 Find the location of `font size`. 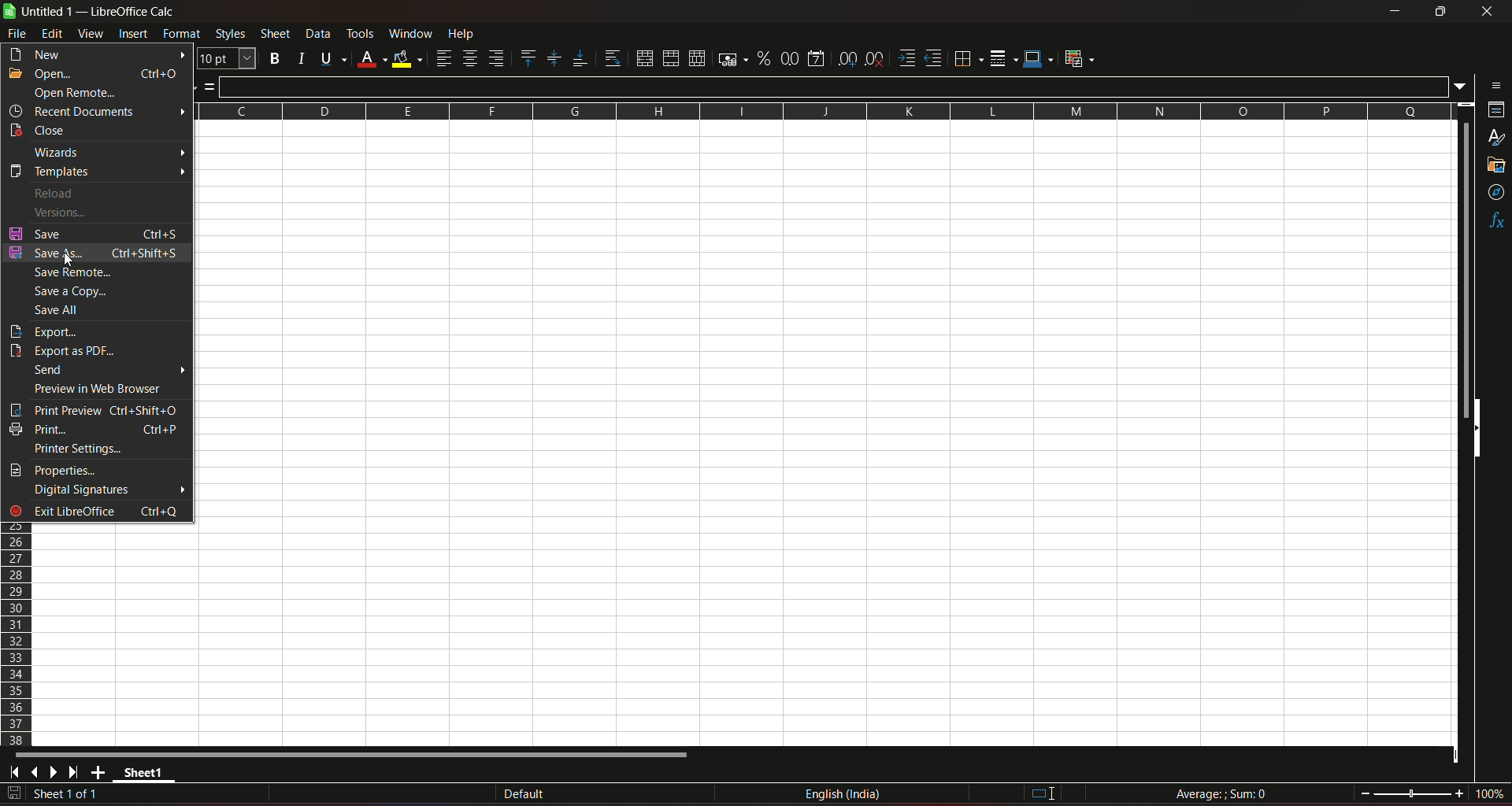

font size is located at coordinates (225, 58).